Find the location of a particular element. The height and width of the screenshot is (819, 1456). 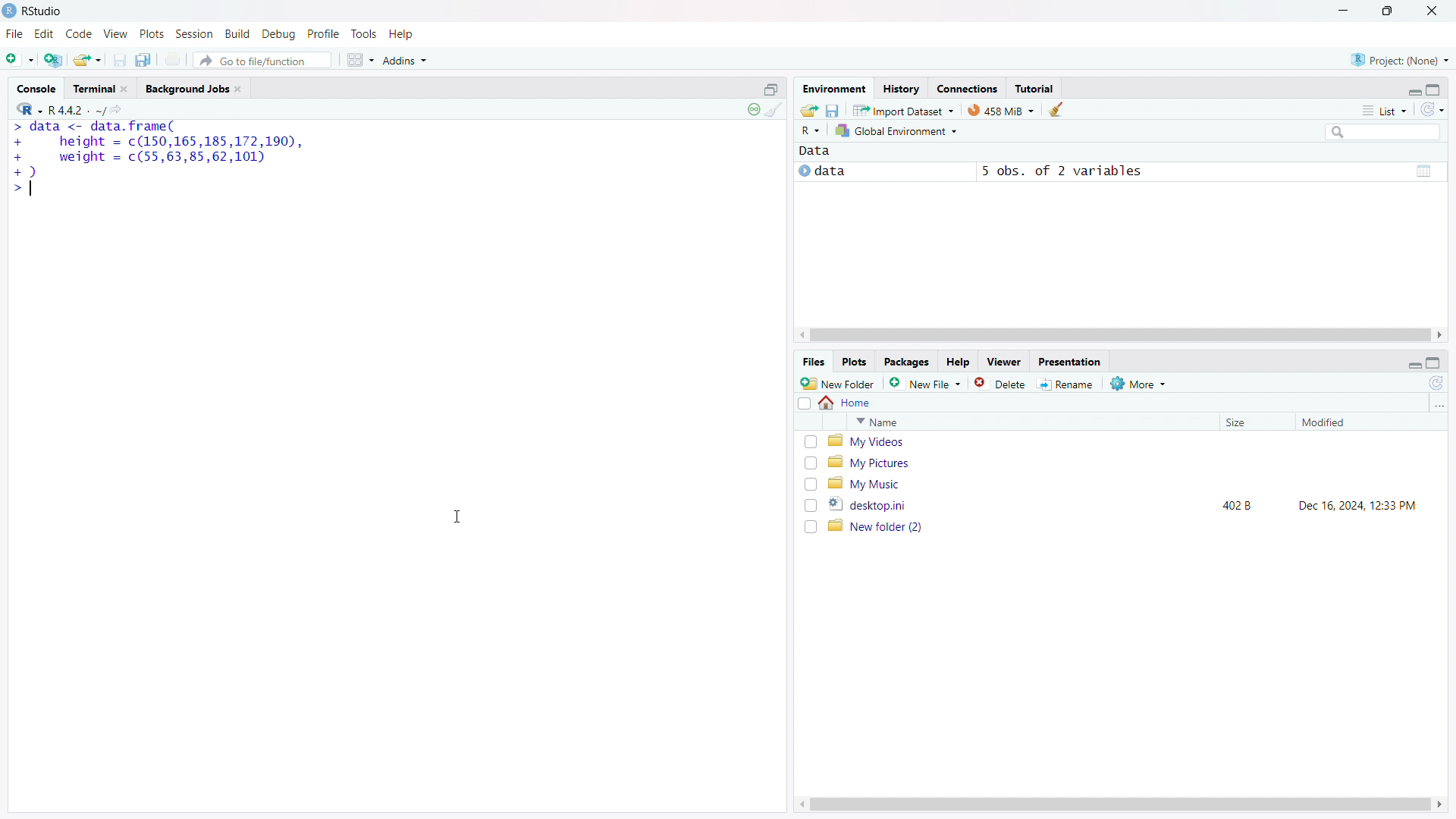

scroll right is located at coordinates (1441, 335).